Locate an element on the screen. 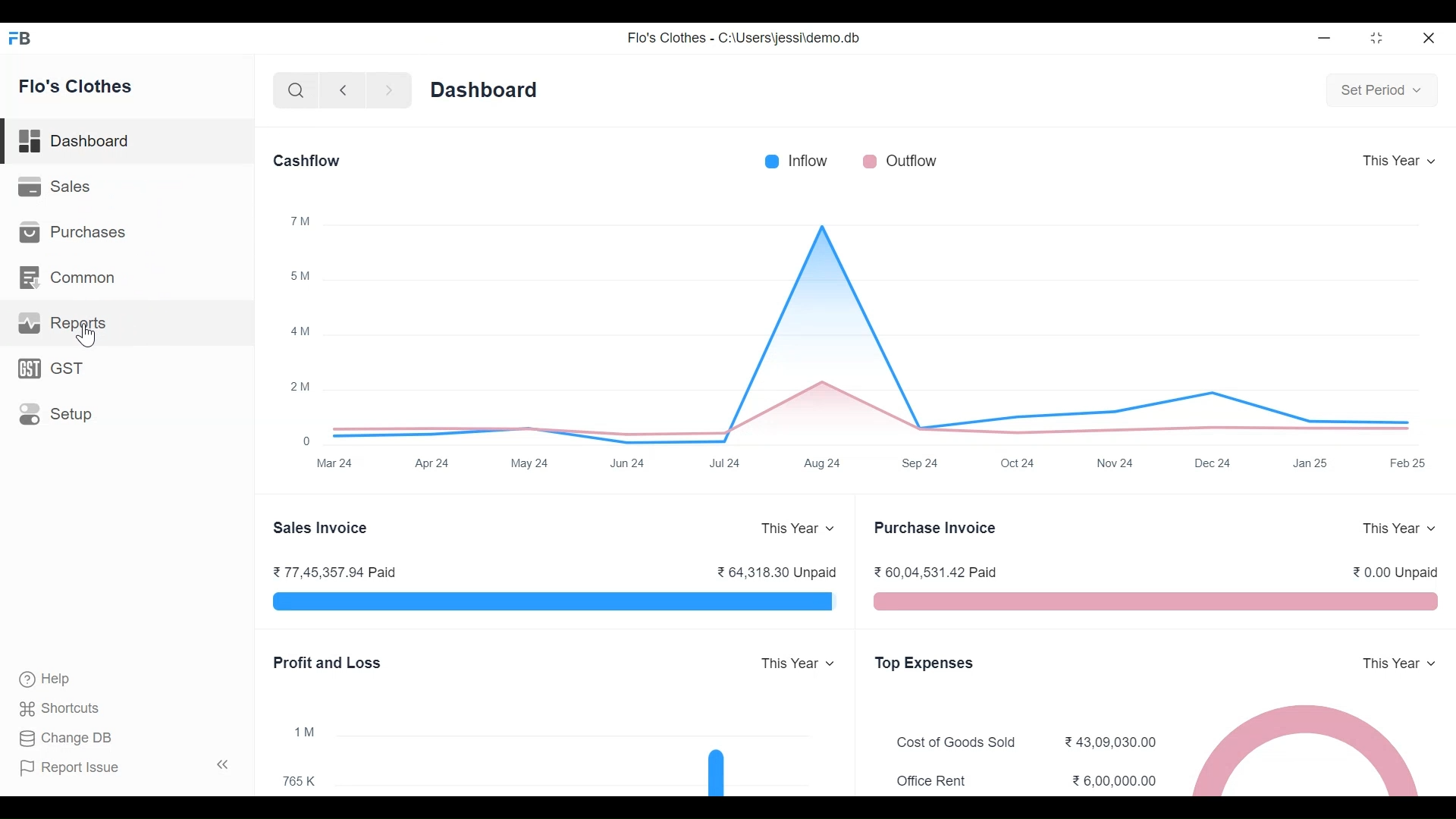  Visual representation of Profit and loss yearly is located at coordinates (589, 754).